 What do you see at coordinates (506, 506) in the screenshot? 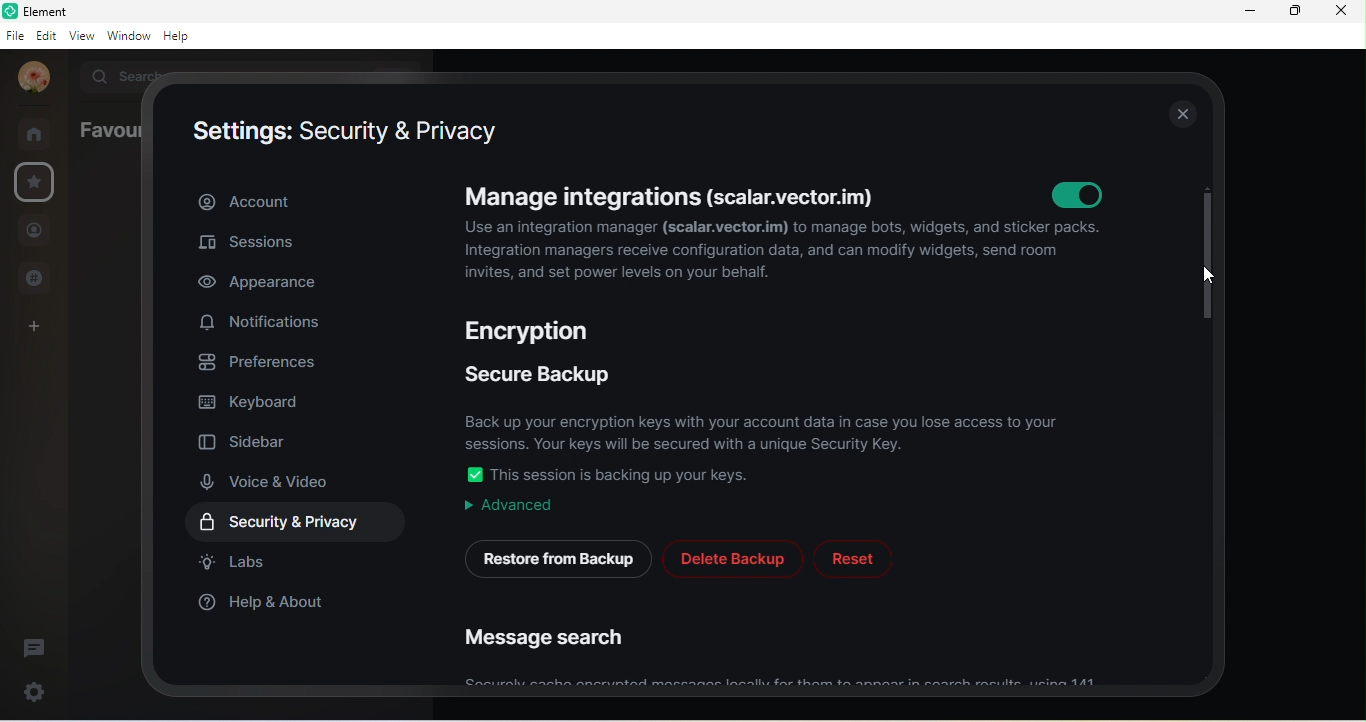
I see `advanced` at bounding box center [506, 506].